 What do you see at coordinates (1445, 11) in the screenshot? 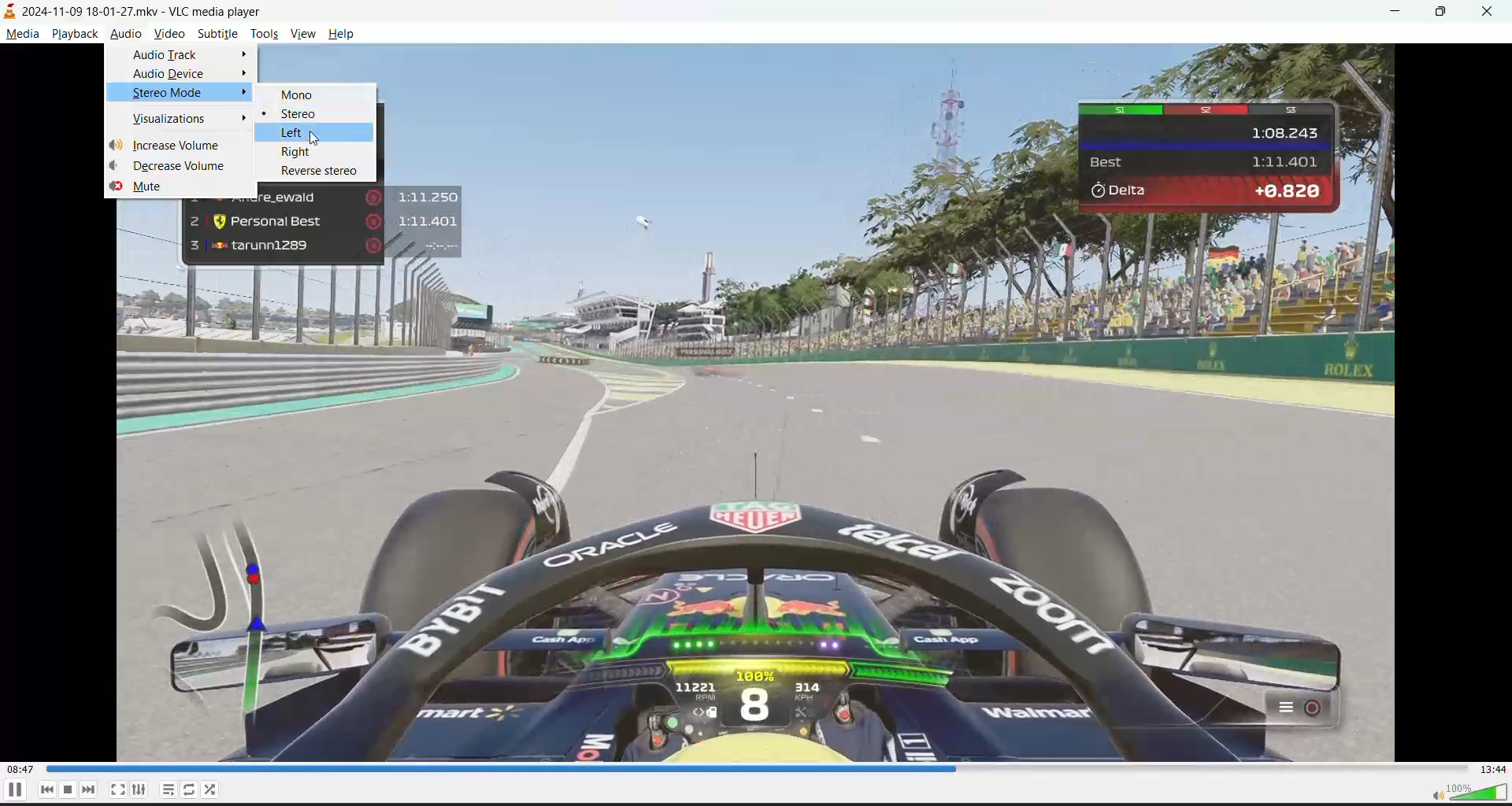
I see `maximize` at bounding box center [1445, 11].